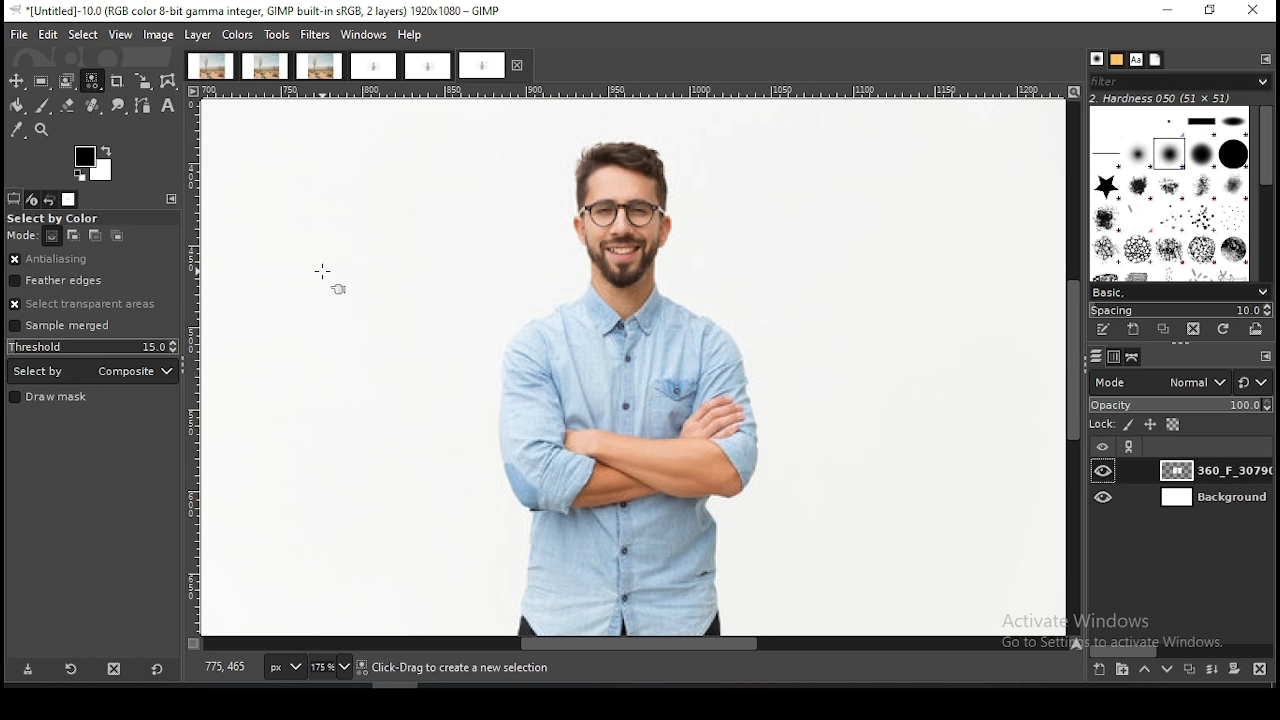 Image resolution: width=1280 pixels, height=720 pixels. I want to click on help, so click(412, 34).